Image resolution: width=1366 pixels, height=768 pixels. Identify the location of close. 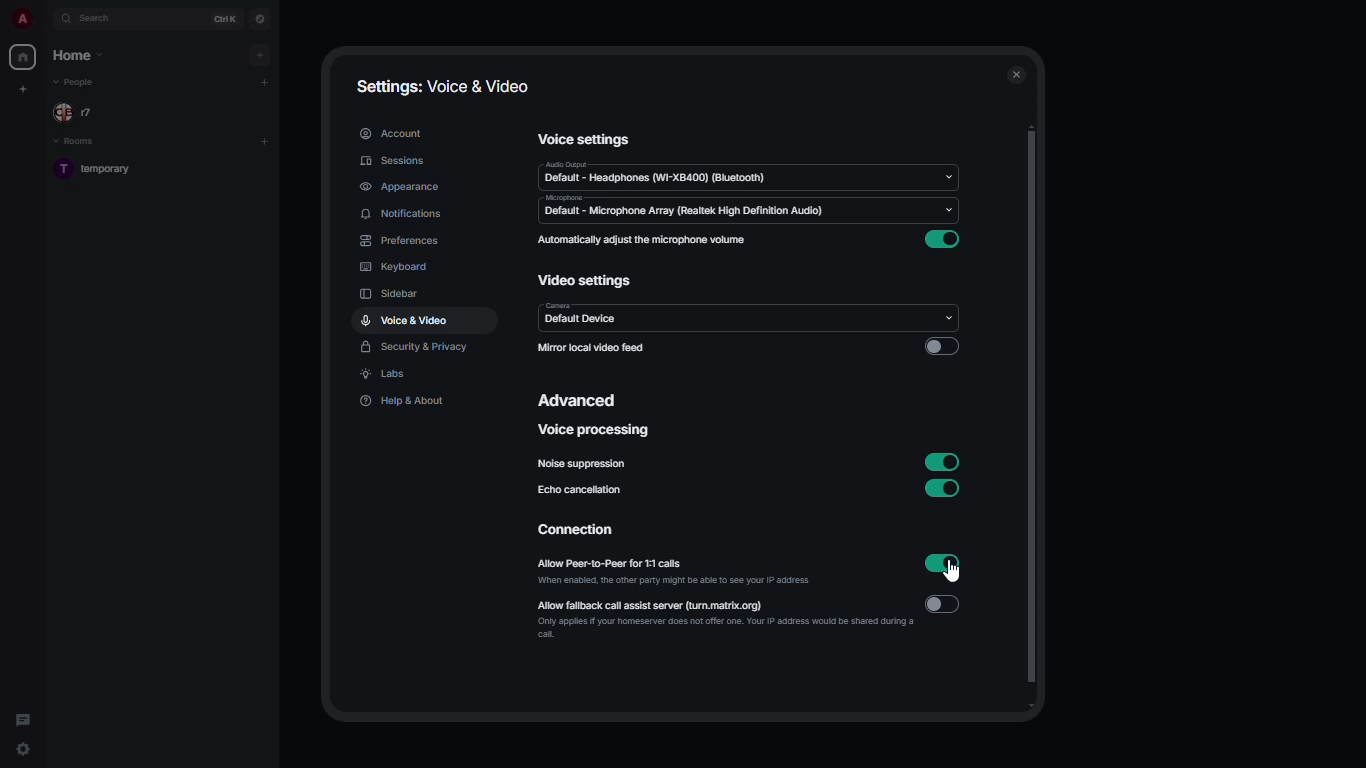
(1017, 71).